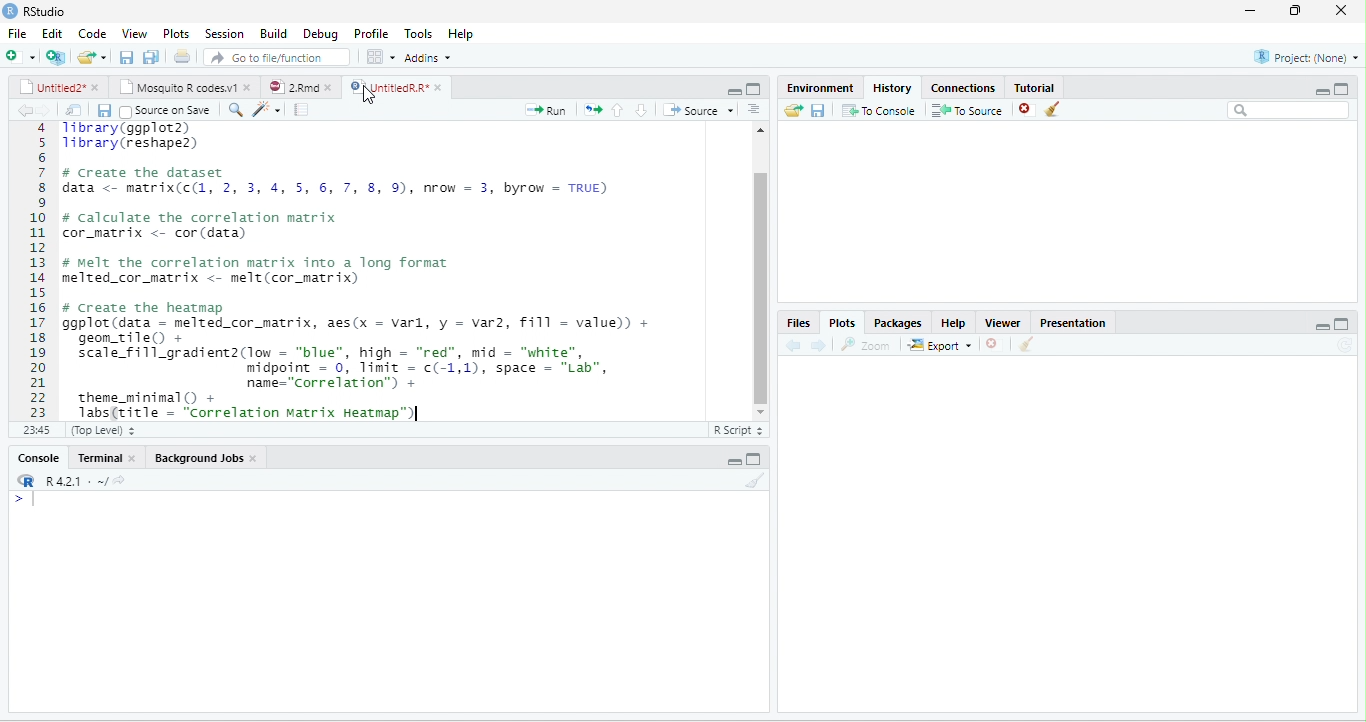 The width and height of the screenshot is (1366, 722). What do you see at coordinates (69, 108) in the screenshot?
I see `files` at bounding box center [69, 108].